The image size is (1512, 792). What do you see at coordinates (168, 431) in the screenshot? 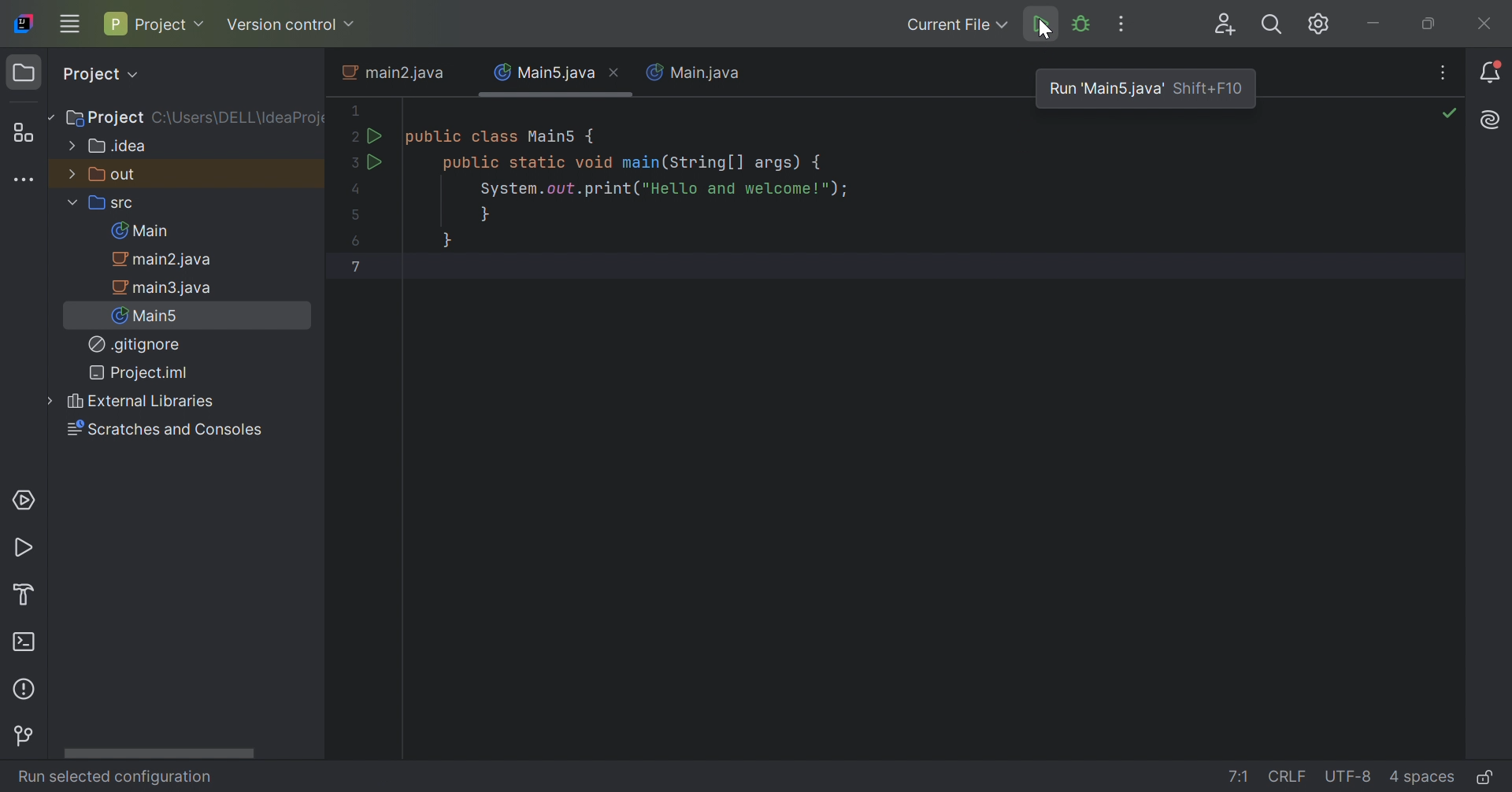
I see `Scratches and Consoles` at bounding box center [168, 431].